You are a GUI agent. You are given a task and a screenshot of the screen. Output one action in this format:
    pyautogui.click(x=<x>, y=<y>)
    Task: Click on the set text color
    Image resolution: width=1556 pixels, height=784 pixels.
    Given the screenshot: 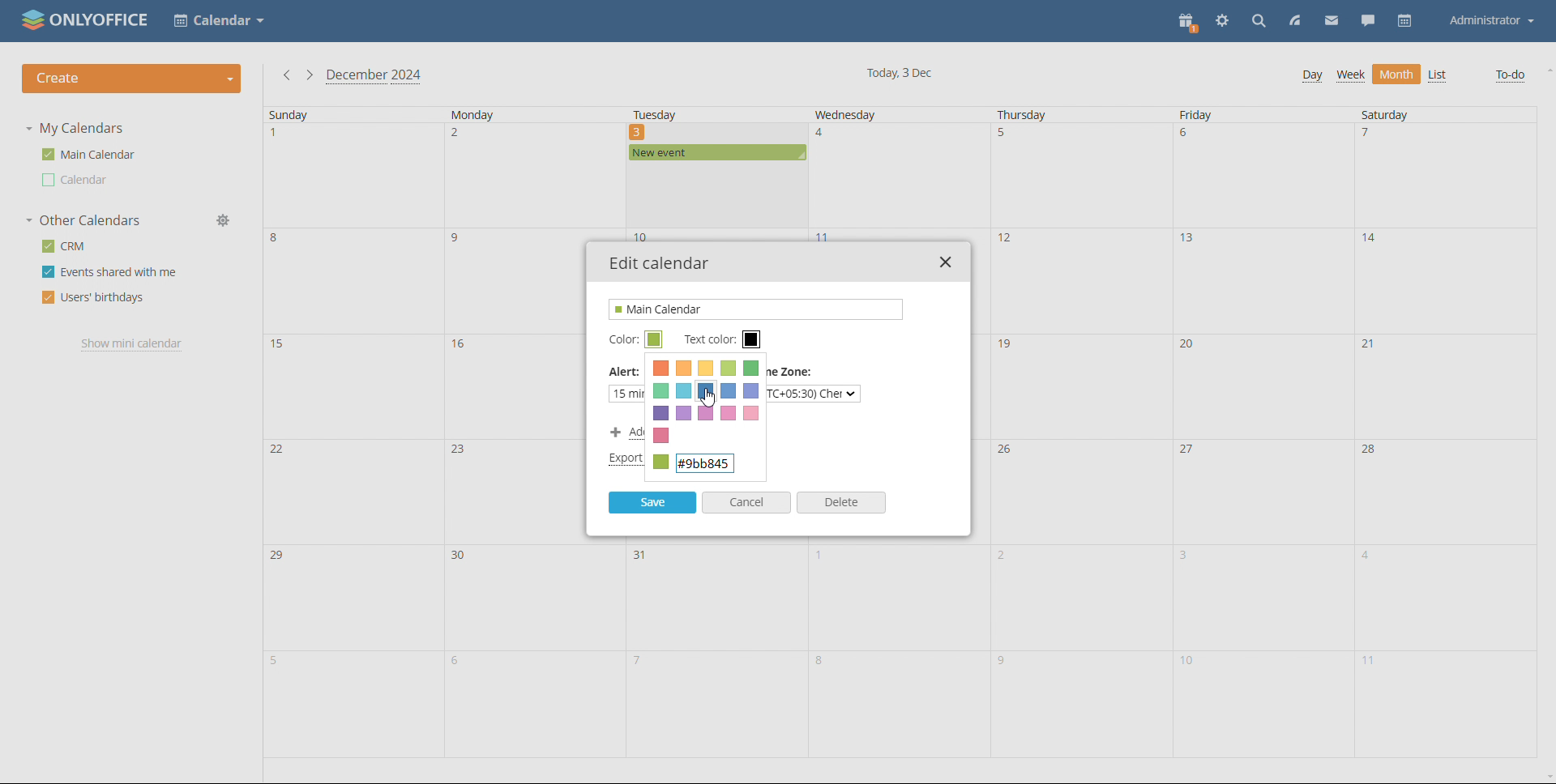 What is the action you would take?
    pyautogui.click(x=752, y=340)
    